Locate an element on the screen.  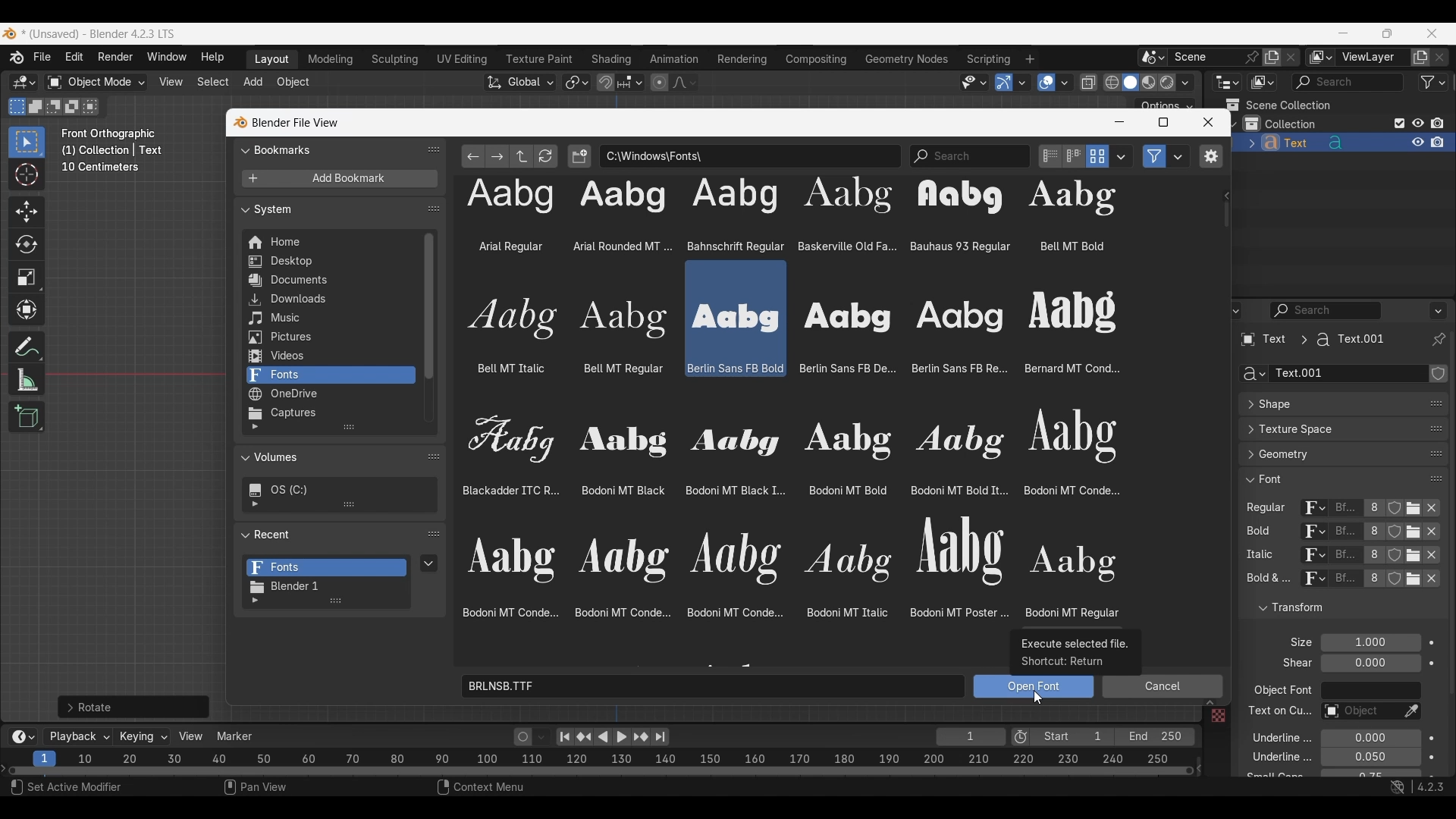
Filter is located at coordinates (1433, 82).